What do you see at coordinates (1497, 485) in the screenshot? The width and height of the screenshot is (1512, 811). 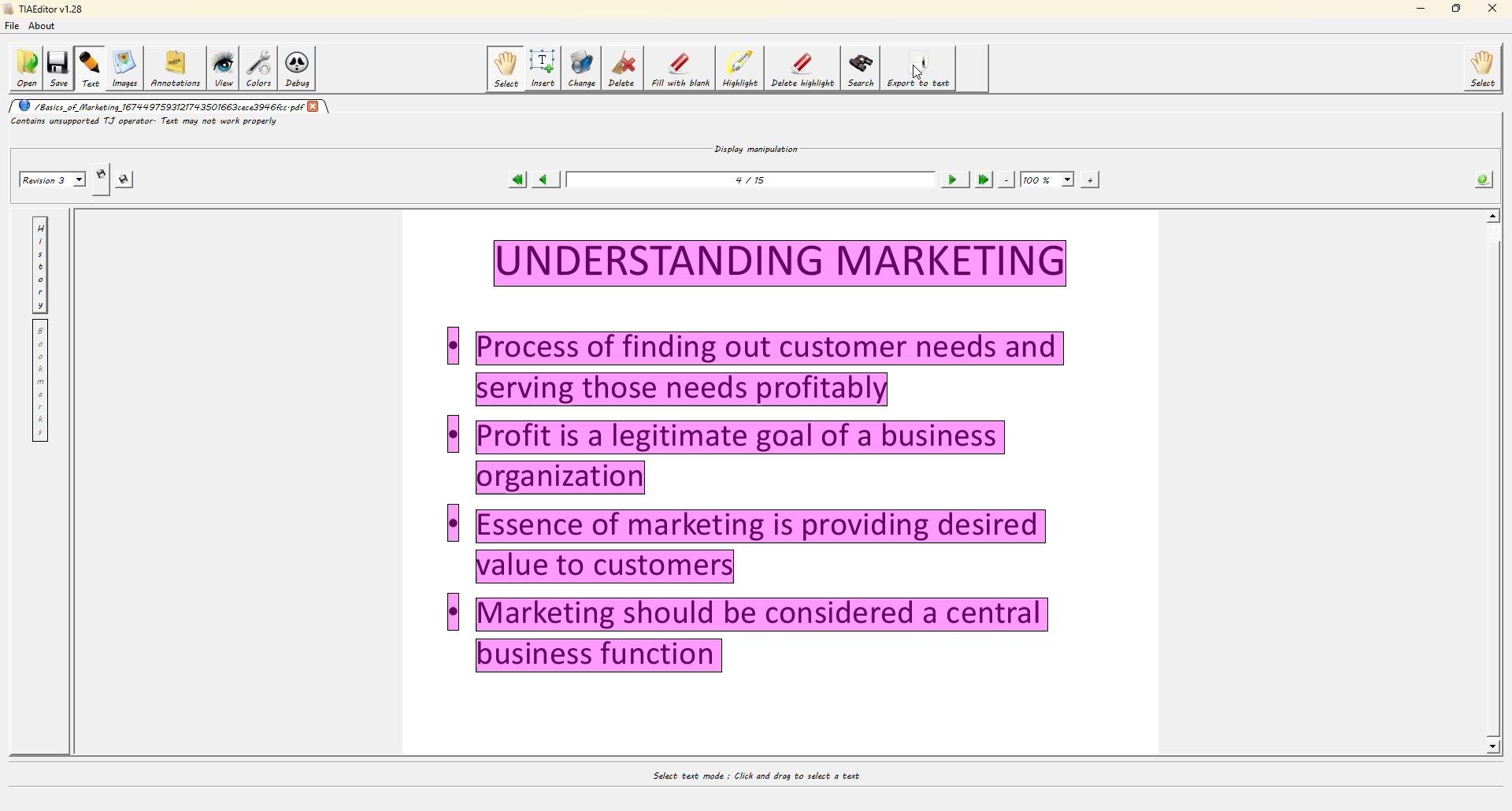 I see `slidebar` at bounding box center [1497, 485].